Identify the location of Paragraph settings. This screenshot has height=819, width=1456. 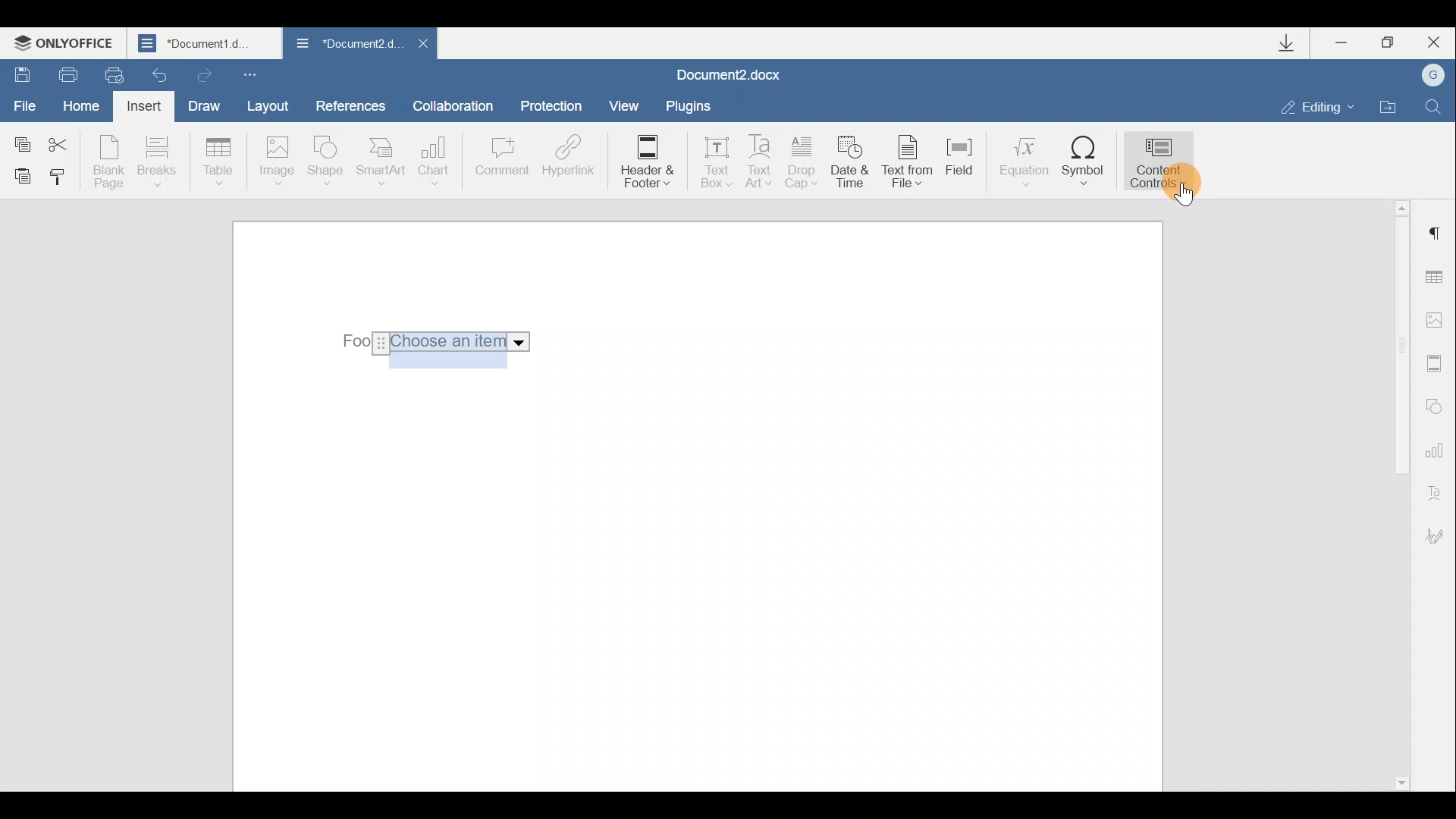
(1436, 234).